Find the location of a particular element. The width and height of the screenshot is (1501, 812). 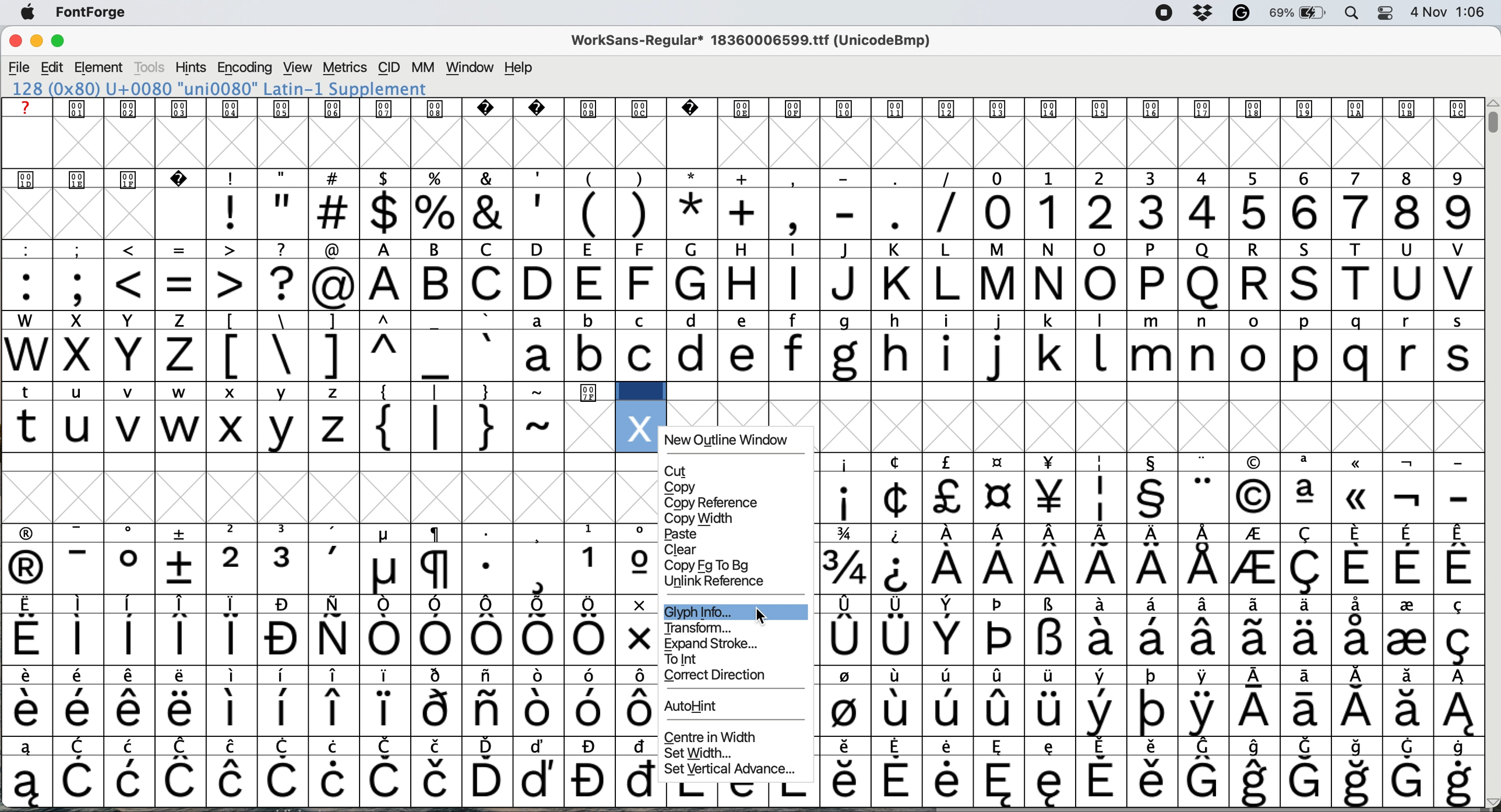

to int is located at coordinates (692, 660).